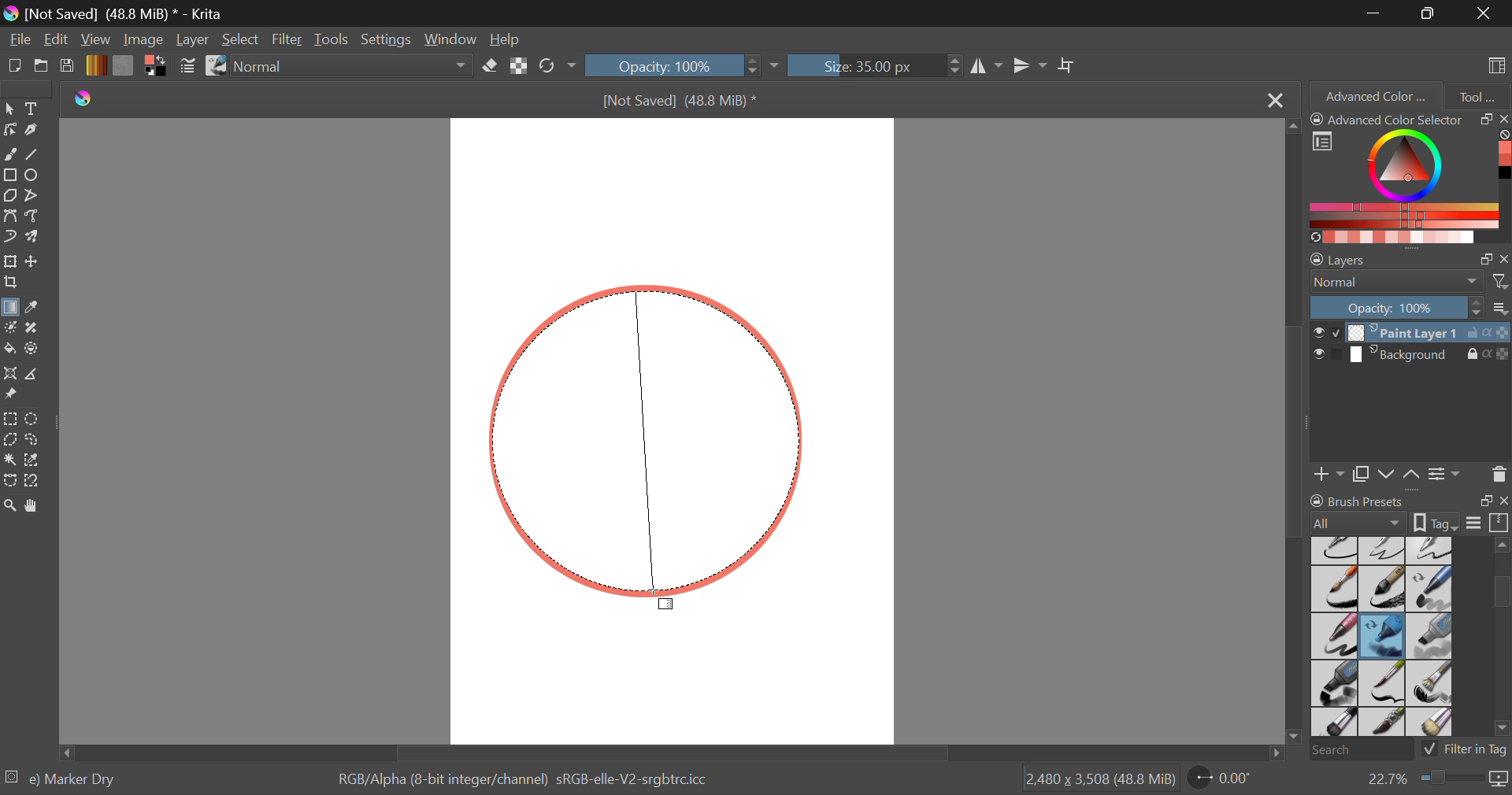 Image resolution: width=1512 pixels, height=795 pixels. What do you see at coordinates (11, 284) in the screenshot?
I see `Crop a layer` at bounding box center [11, 284].